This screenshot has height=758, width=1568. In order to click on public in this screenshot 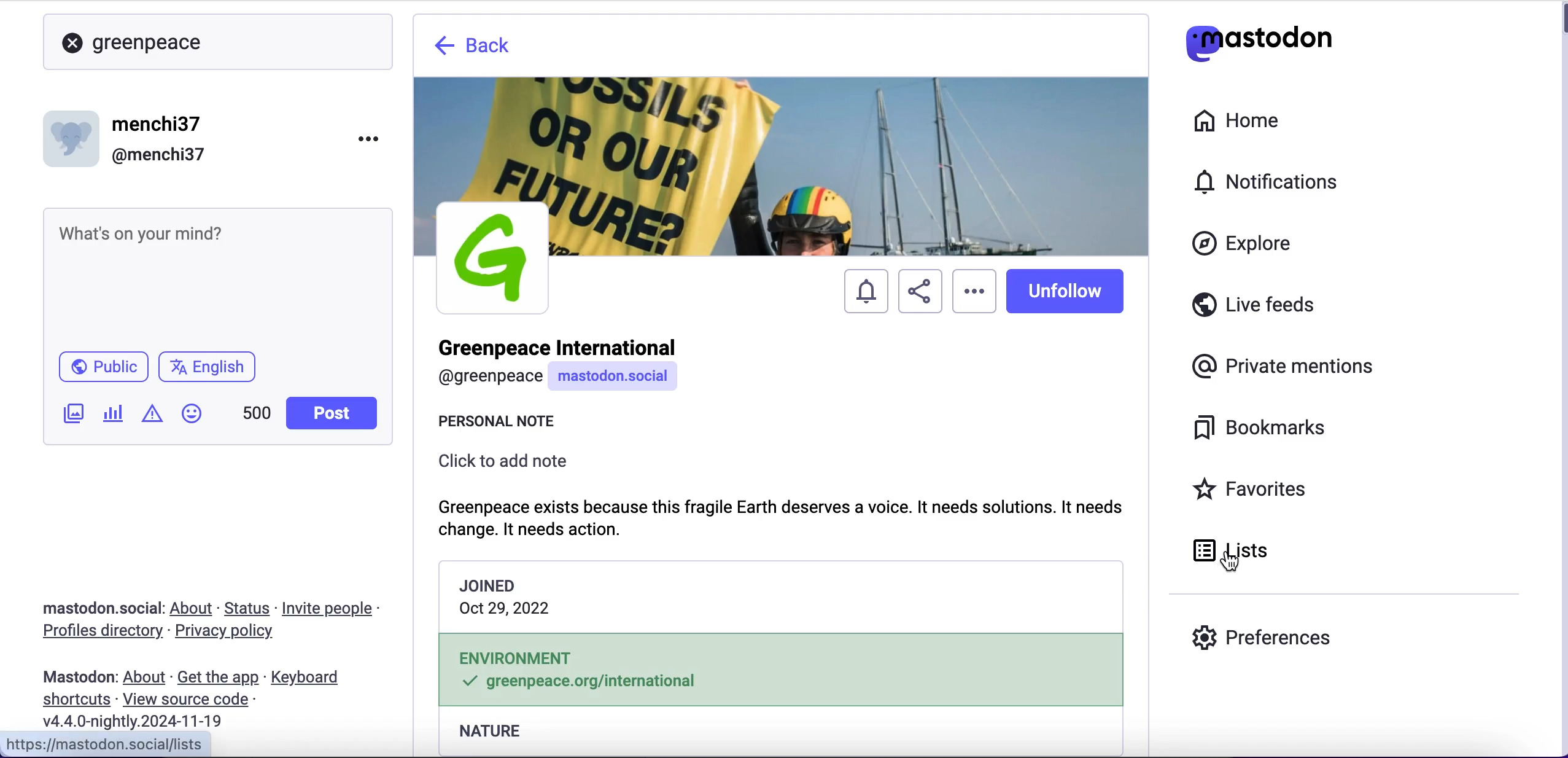, I will do `click(102, 370)`.